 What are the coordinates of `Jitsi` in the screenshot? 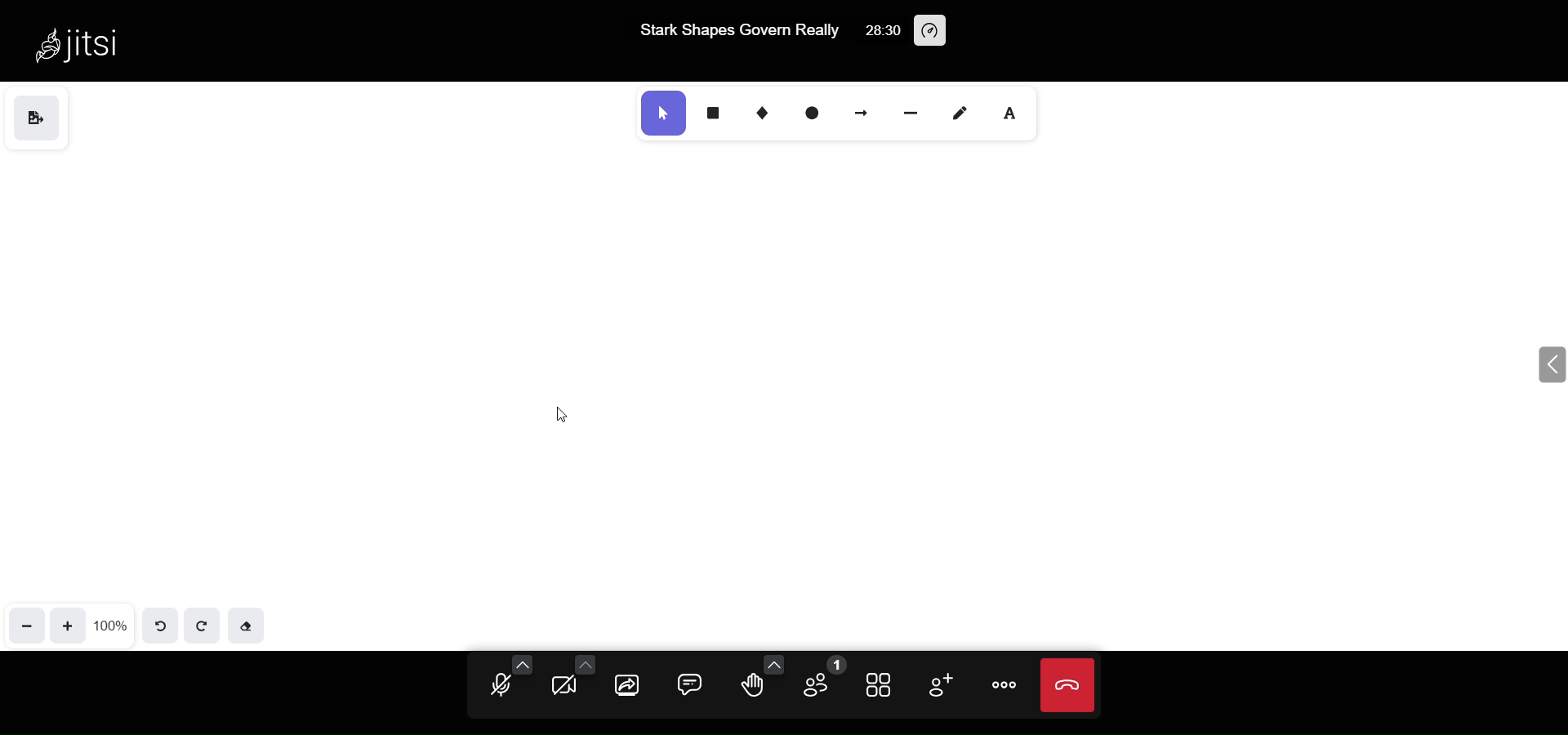 It's located at (88, 43).